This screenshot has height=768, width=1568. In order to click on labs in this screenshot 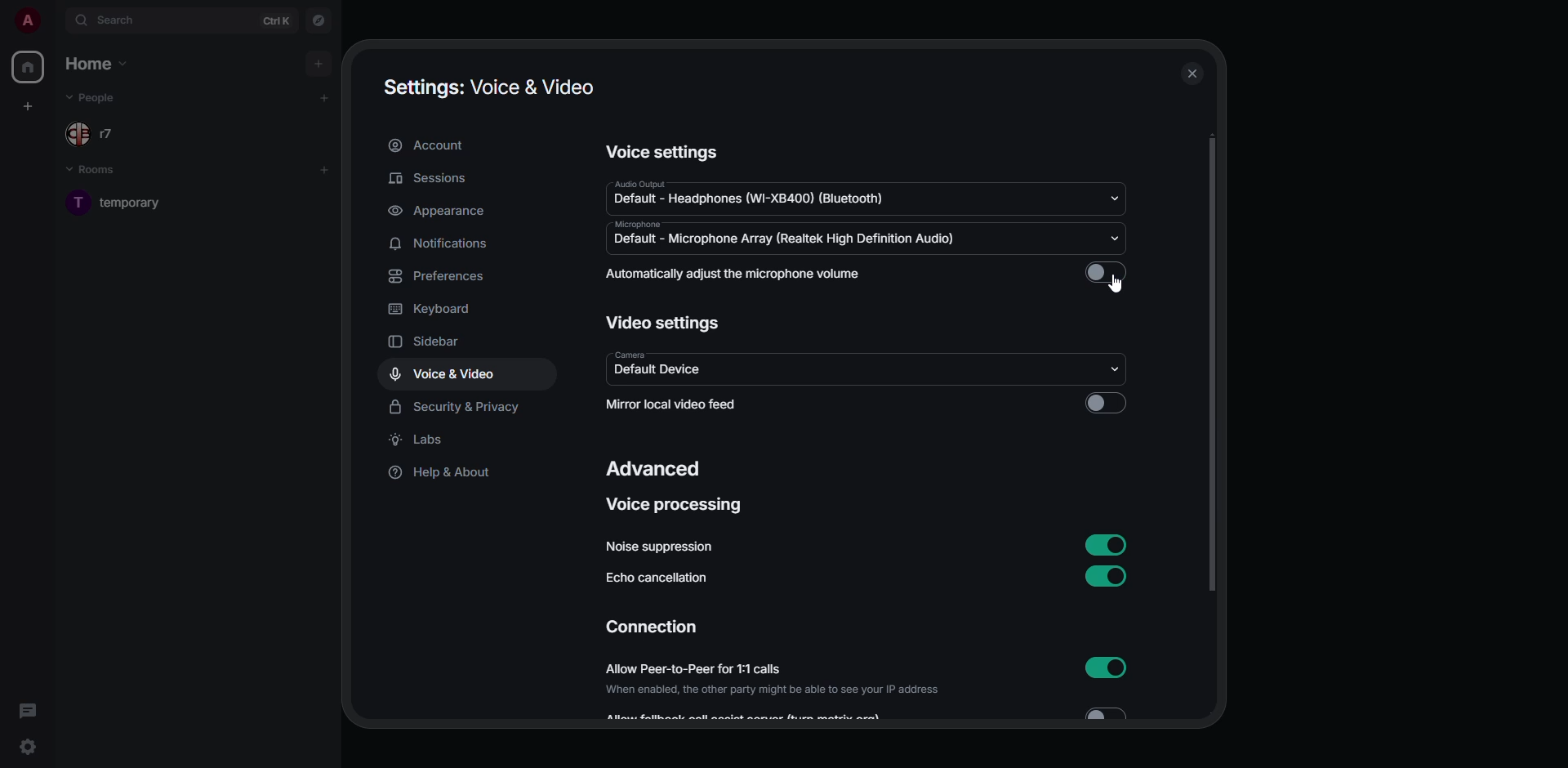, I will do `click(423, 440)`.